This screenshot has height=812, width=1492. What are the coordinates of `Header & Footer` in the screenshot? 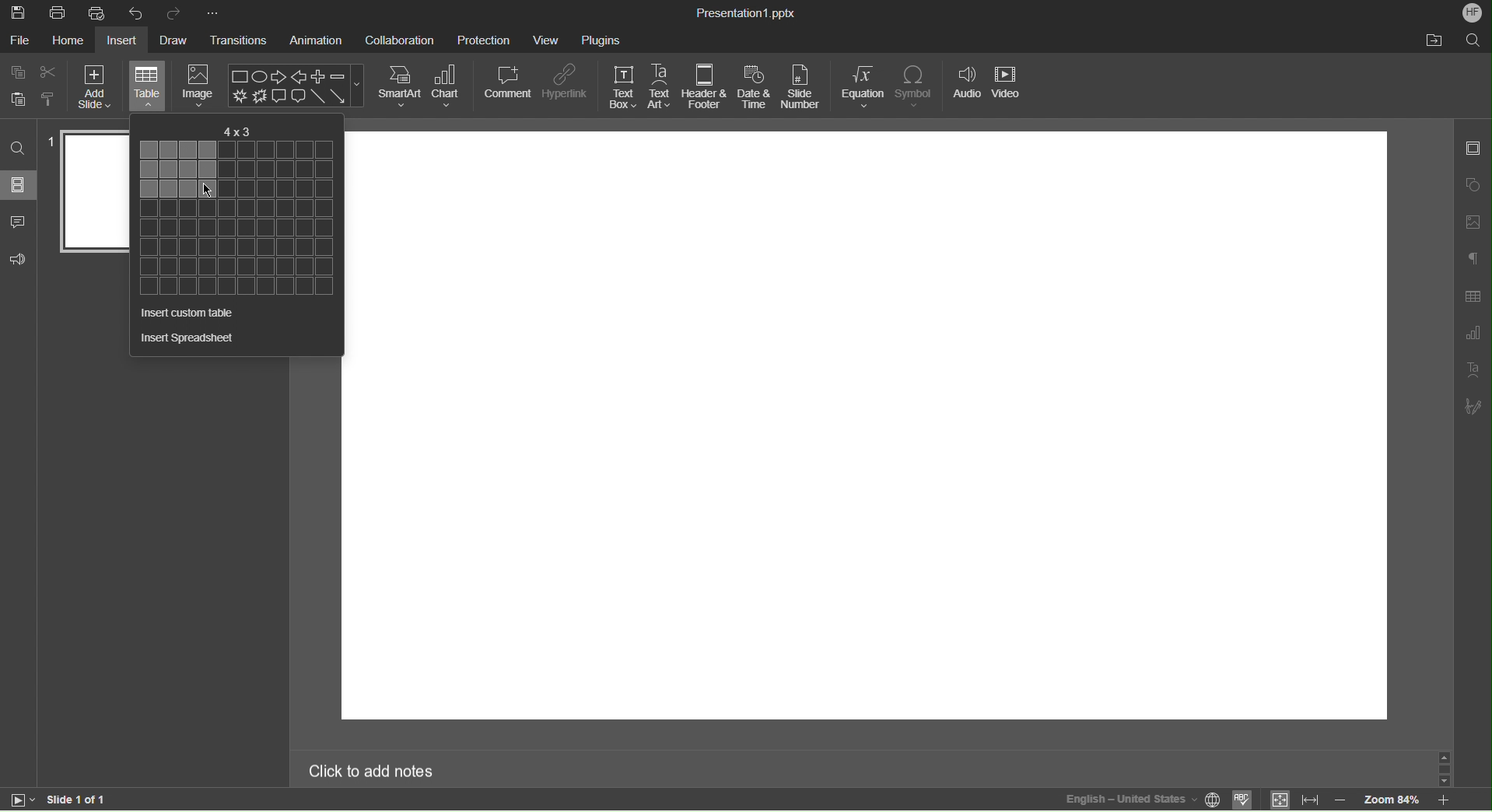 It's located at (705, 87).